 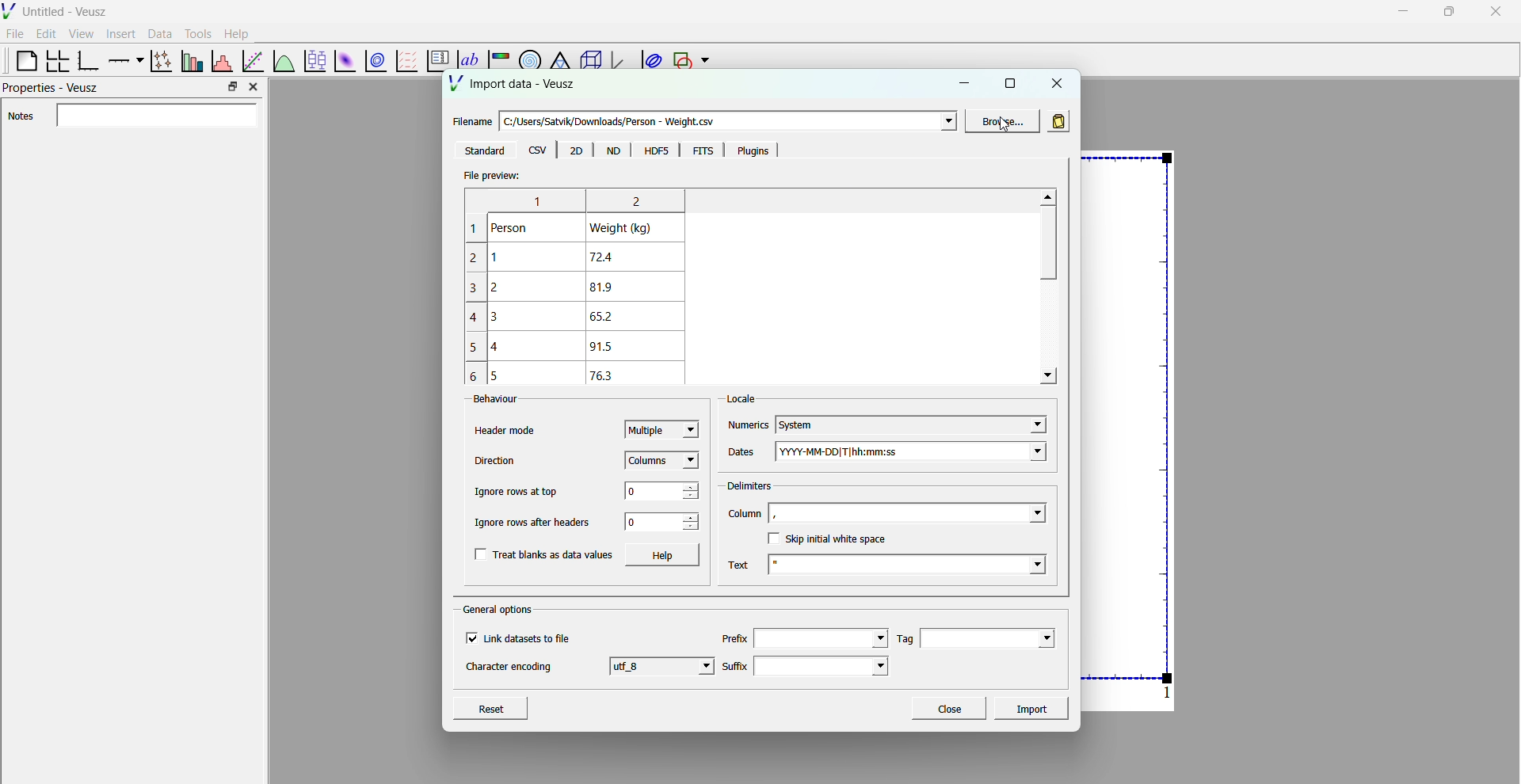 What do you see at coordinates (995, 637) in the screenshot?
I see `Tag - dropdown` at bounding box center [995, 637].